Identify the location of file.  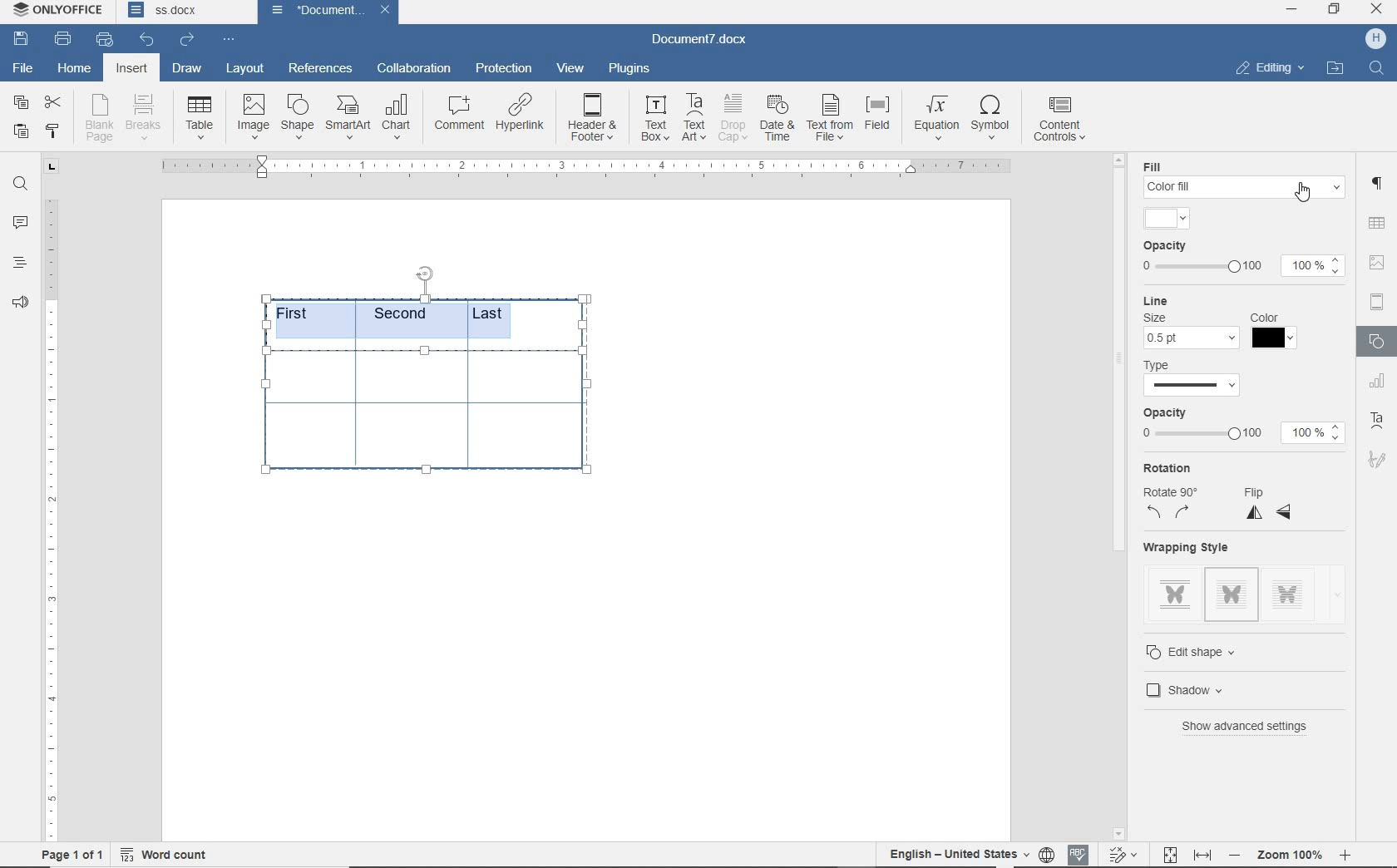
(22, 67).